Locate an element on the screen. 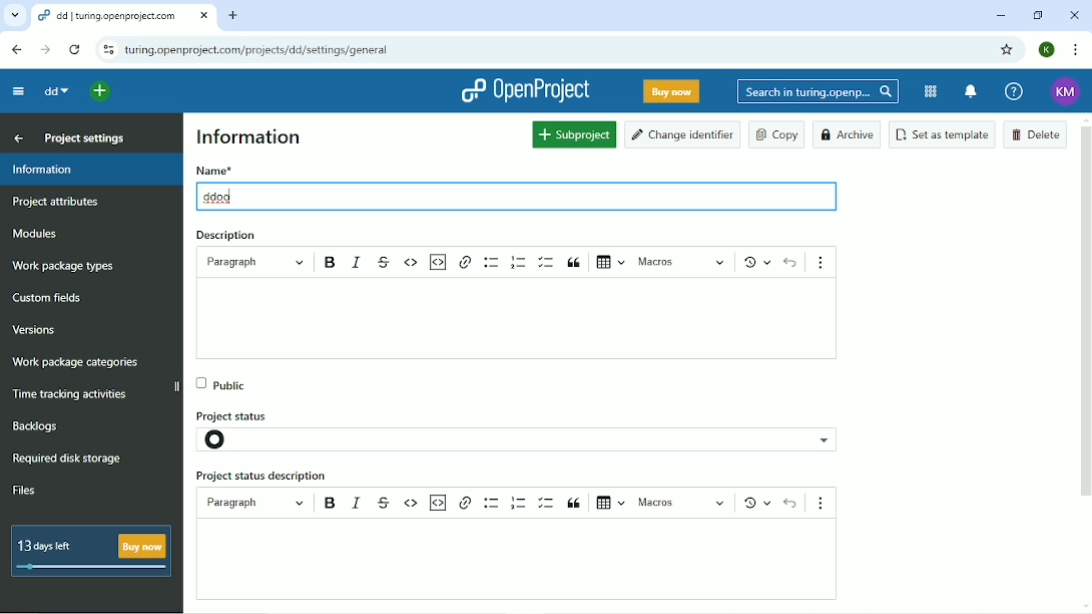 The image size is (1092, 614). numbered list is located at coordinates (517, 502).